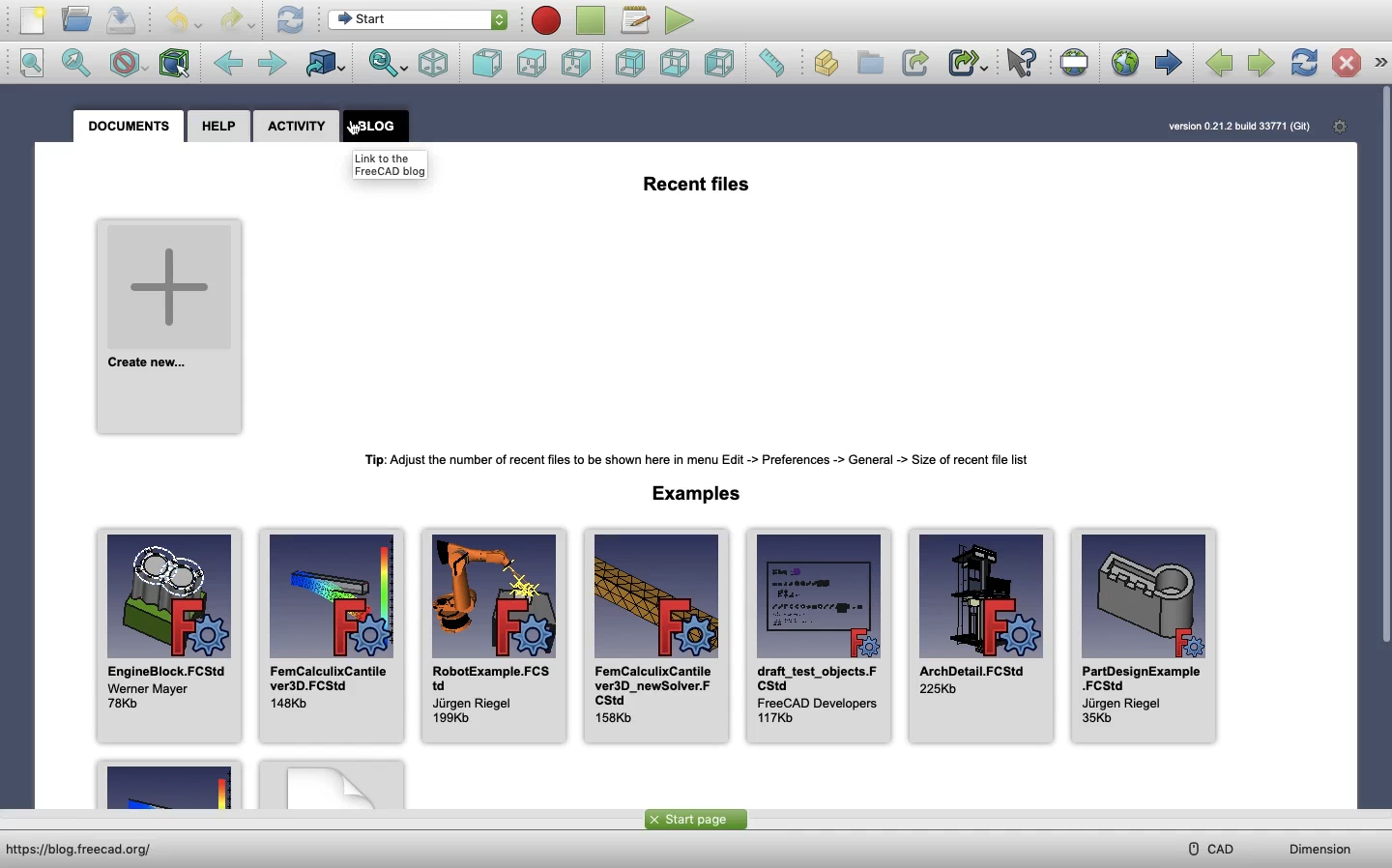  What do you see at coordinates (32, 63) in the screenshot?
I see `align to selection` at bounding box center [32, 63].